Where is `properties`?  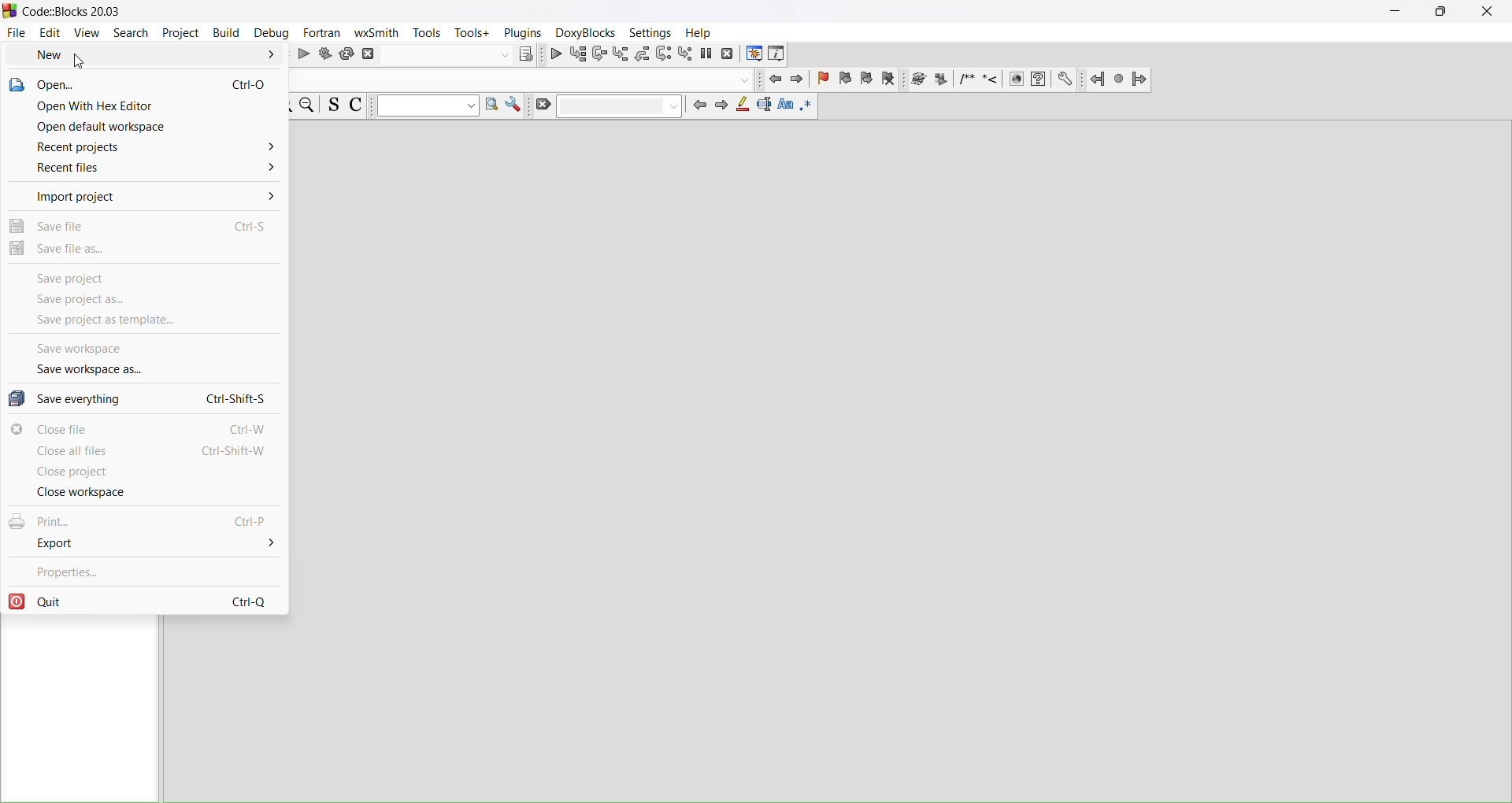 properties is located at coordinates (146, 569).